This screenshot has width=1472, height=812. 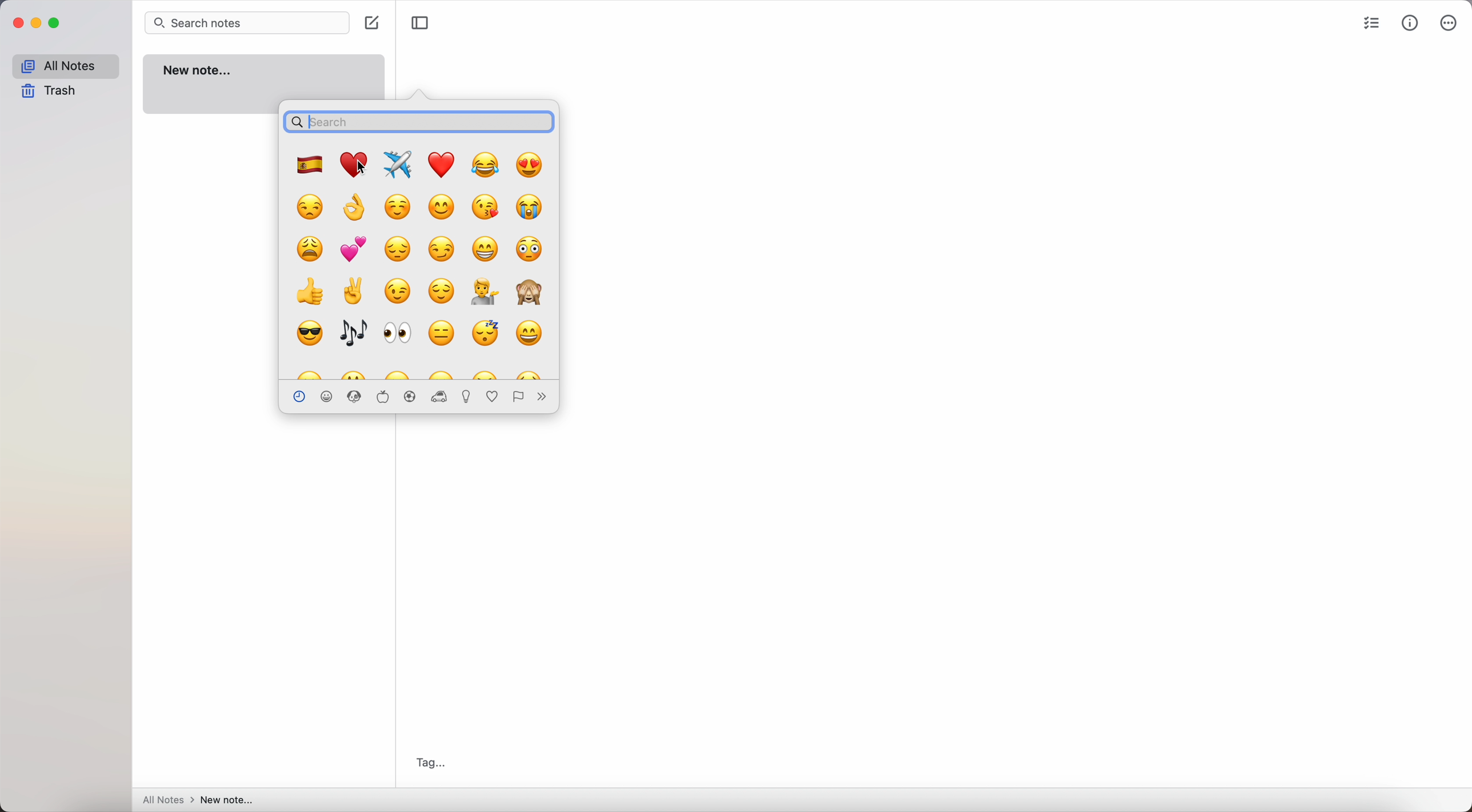 I want to click on recents emojis, so click(x=300, y=396).